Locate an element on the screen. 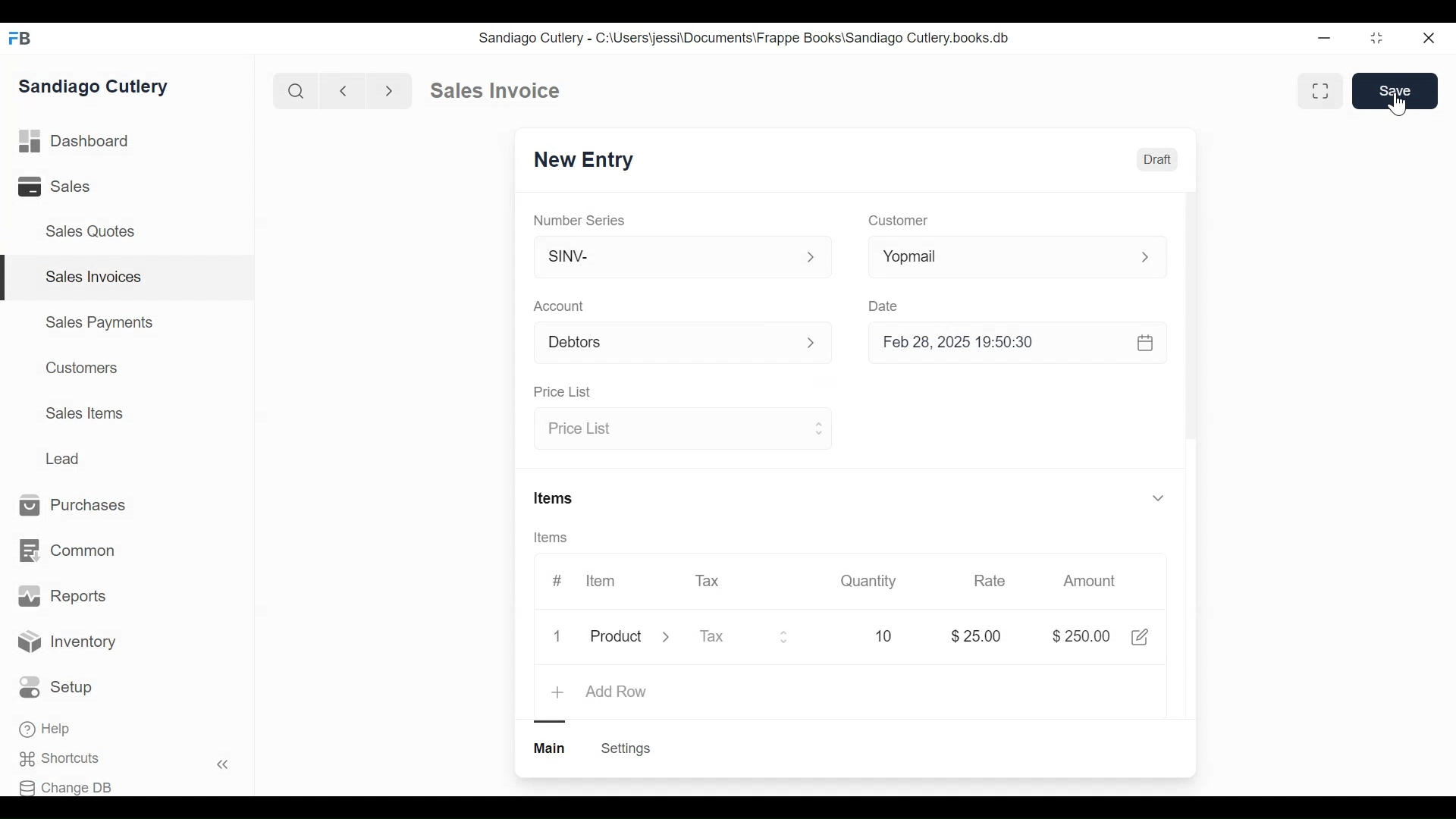 This screenshot has width=1456, height=819. $25.00 is located at coordinates (980, 634).